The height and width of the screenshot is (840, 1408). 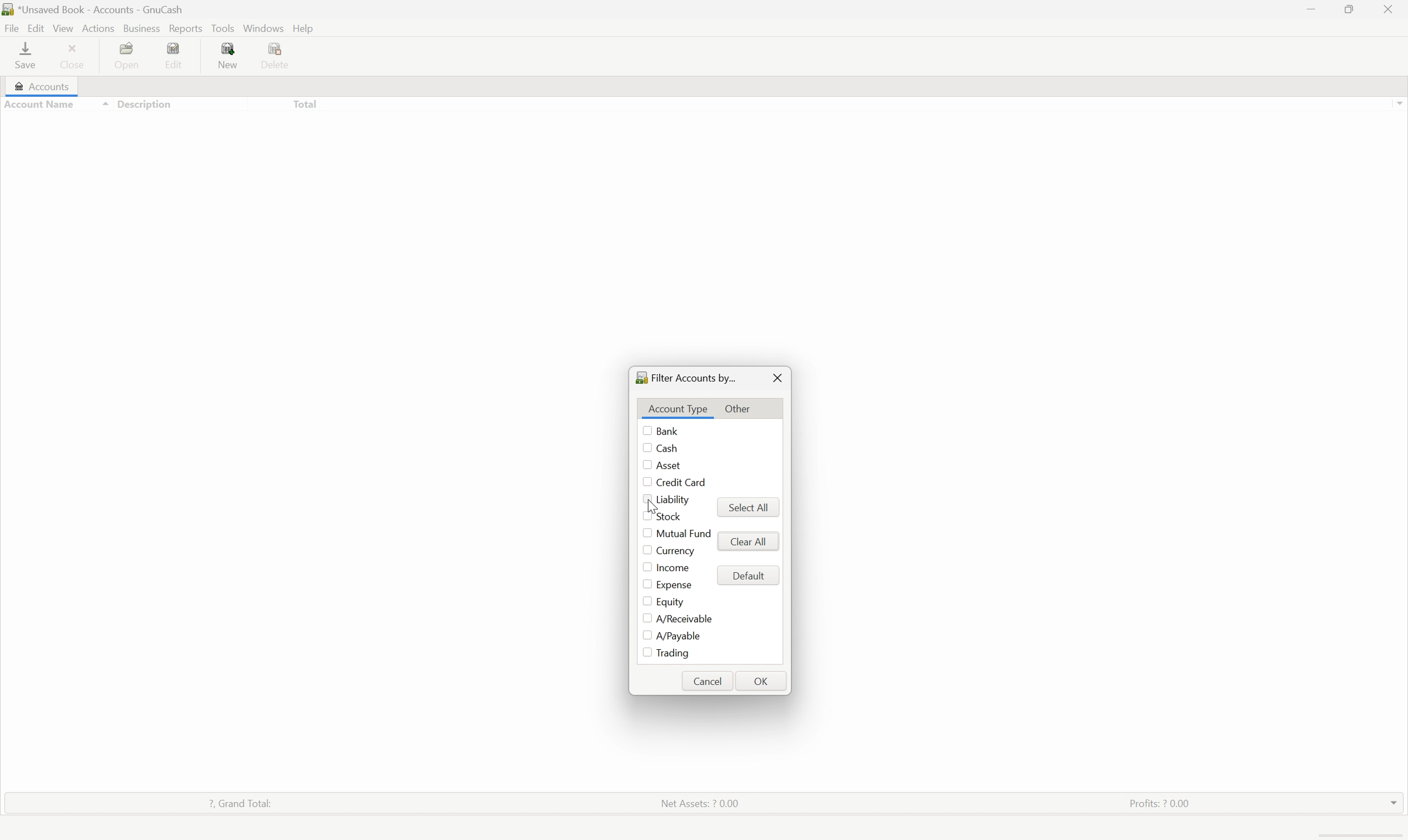 What do you see at coordinates (136, 188) in the screenshot?
I see `Liabilities` at bounding box center [136, 188].